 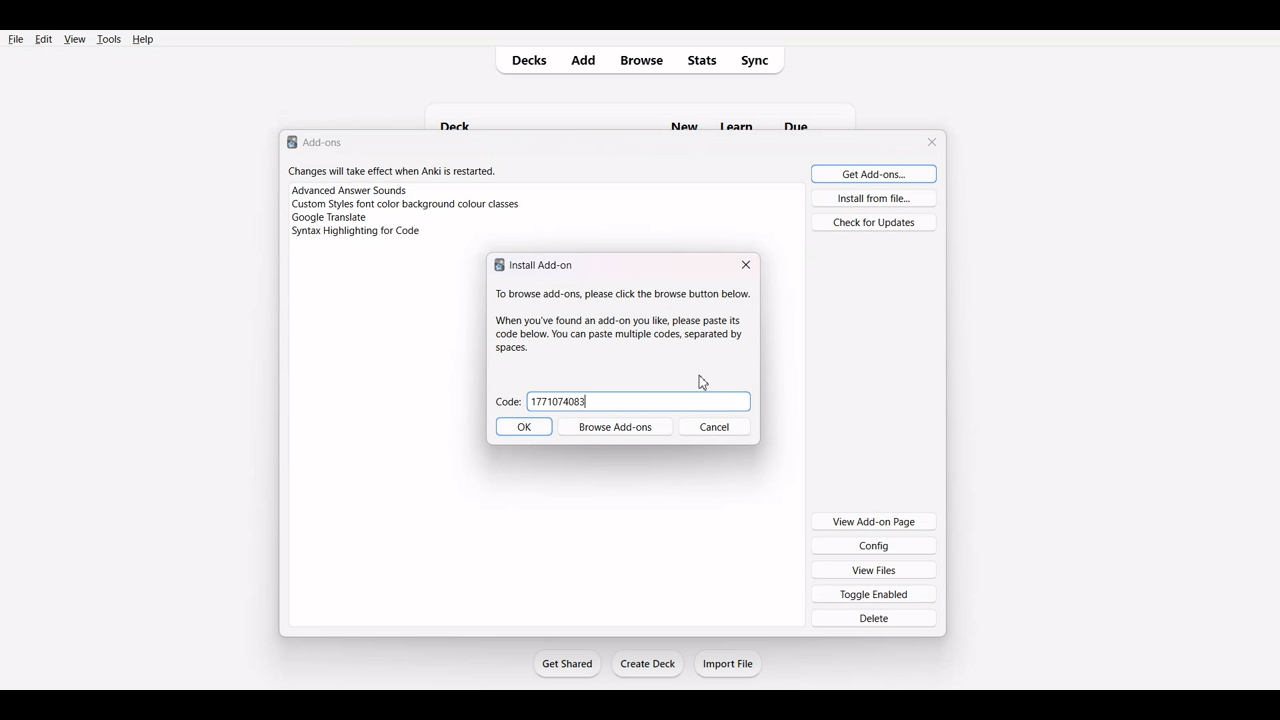 What do you see at coordinates (761, 60) in the screenshot?
I see `Sync` at bounding box center [761, 60].